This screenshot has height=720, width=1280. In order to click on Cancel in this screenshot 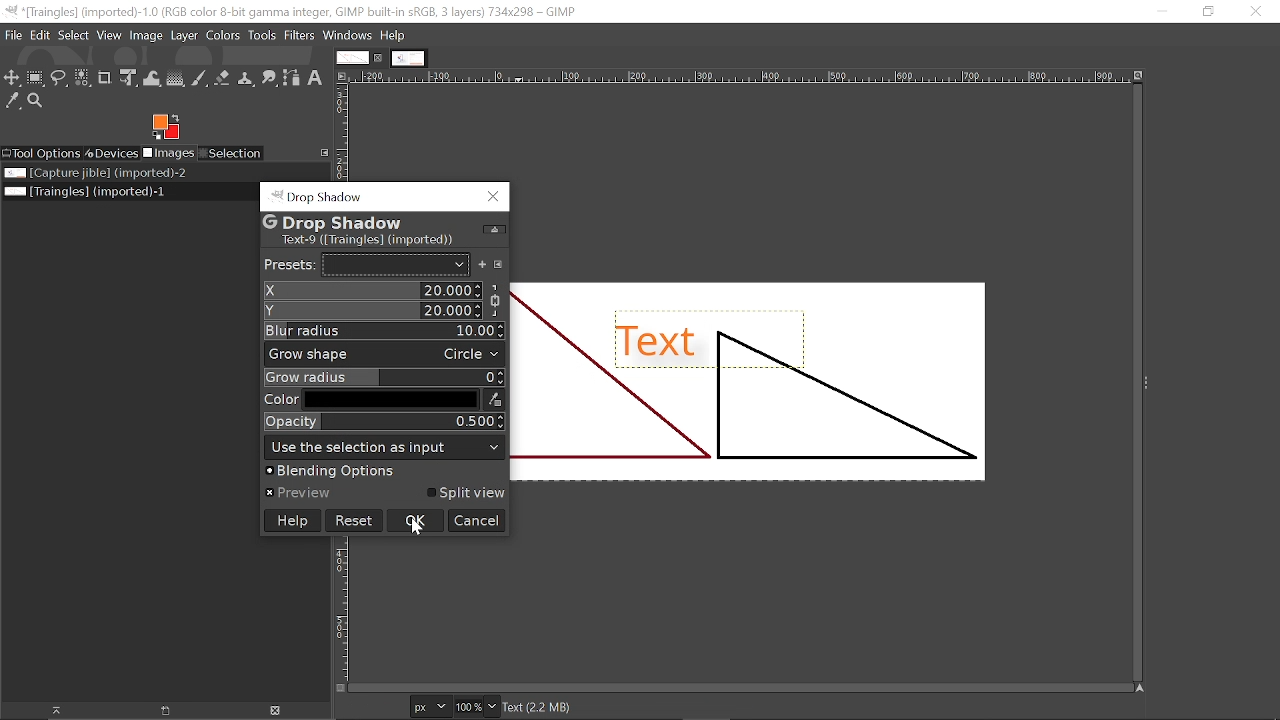, I will do `click(477, 521)`.